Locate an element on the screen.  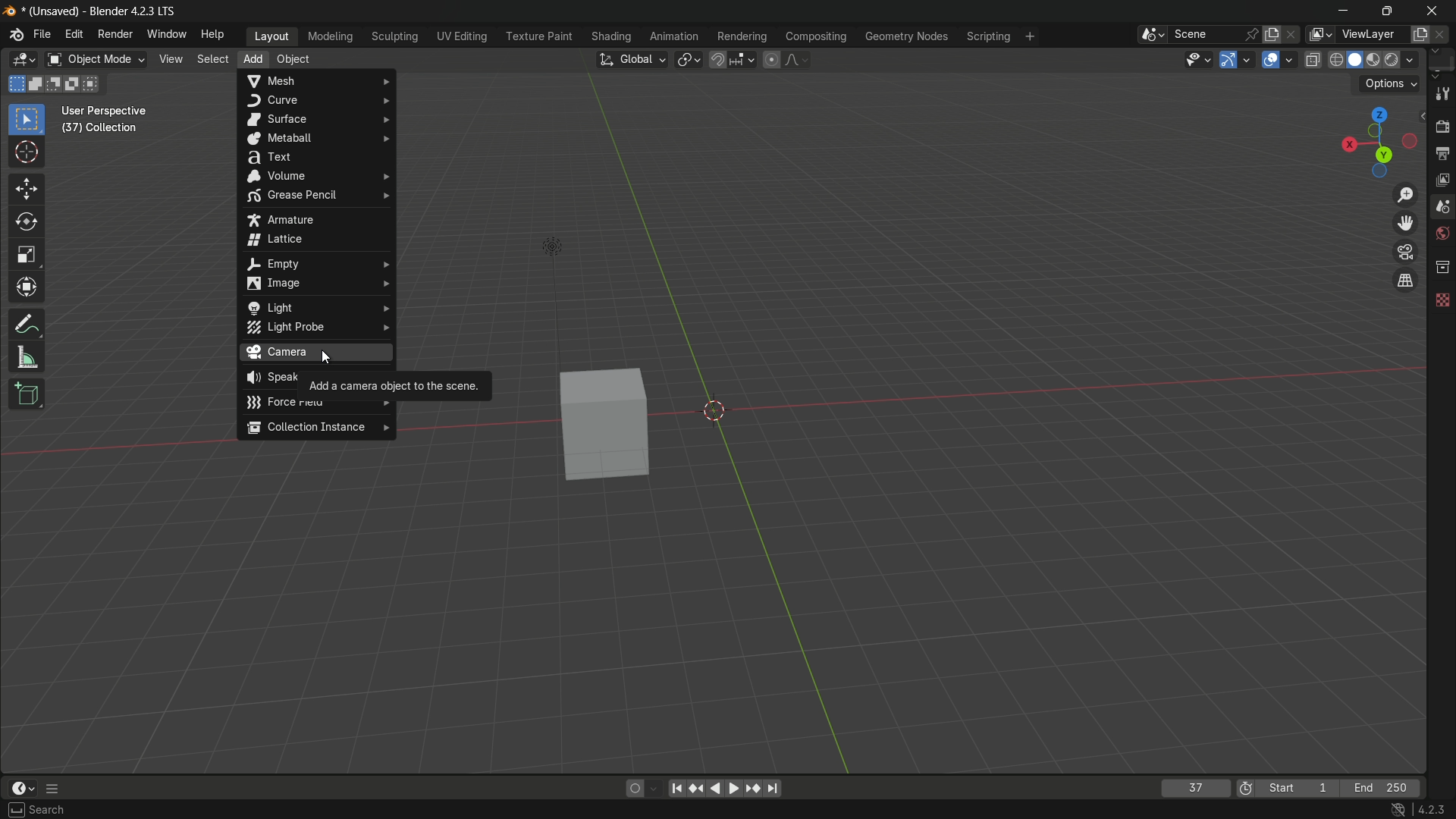
logo is located at coordinates (11, 37).